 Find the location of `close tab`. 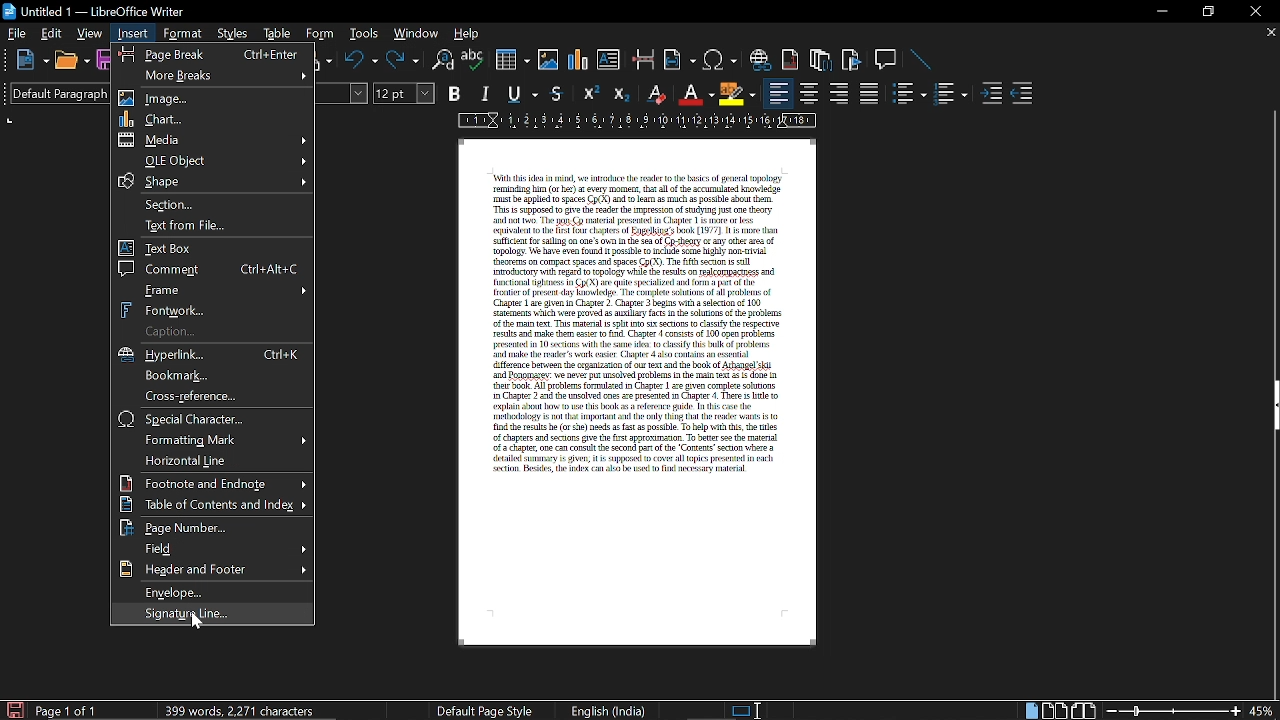

close tab is located at coordinates (1270, 34).